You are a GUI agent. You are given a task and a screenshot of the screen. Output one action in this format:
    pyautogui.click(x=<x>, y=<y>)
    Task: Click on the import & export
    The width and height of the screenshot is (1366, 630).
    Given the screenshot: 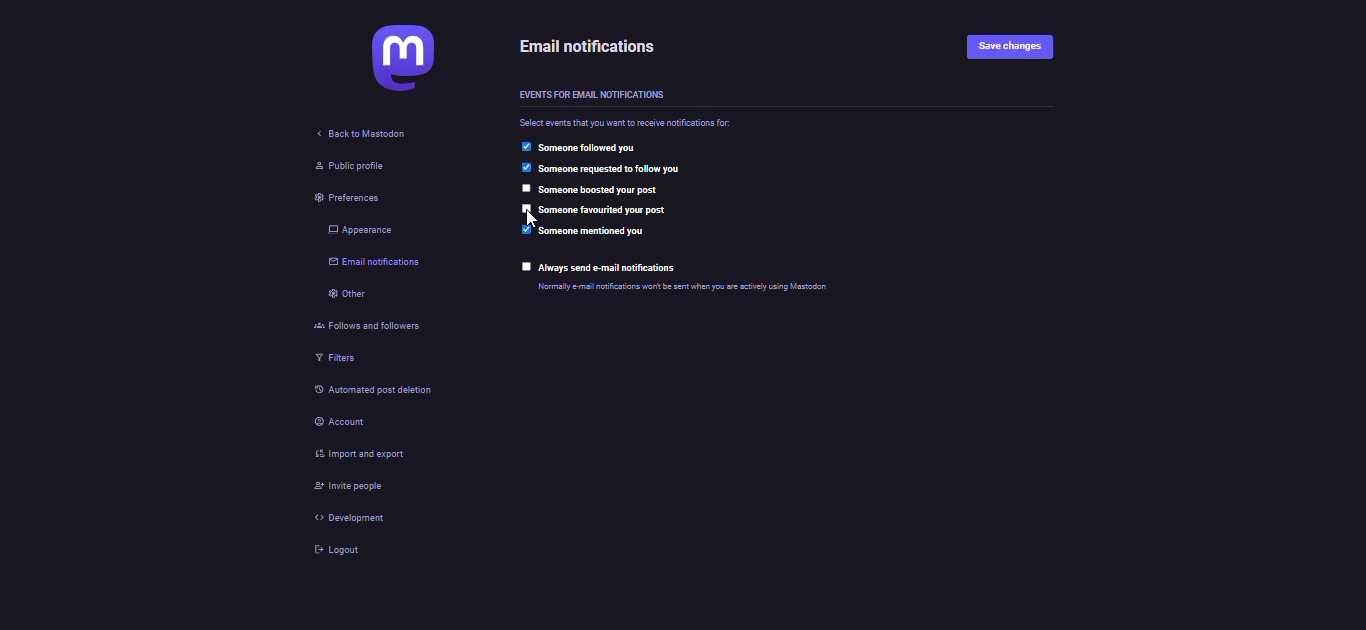 What is the action you would take?
    pyautogui.click(x=364, y=454)
    